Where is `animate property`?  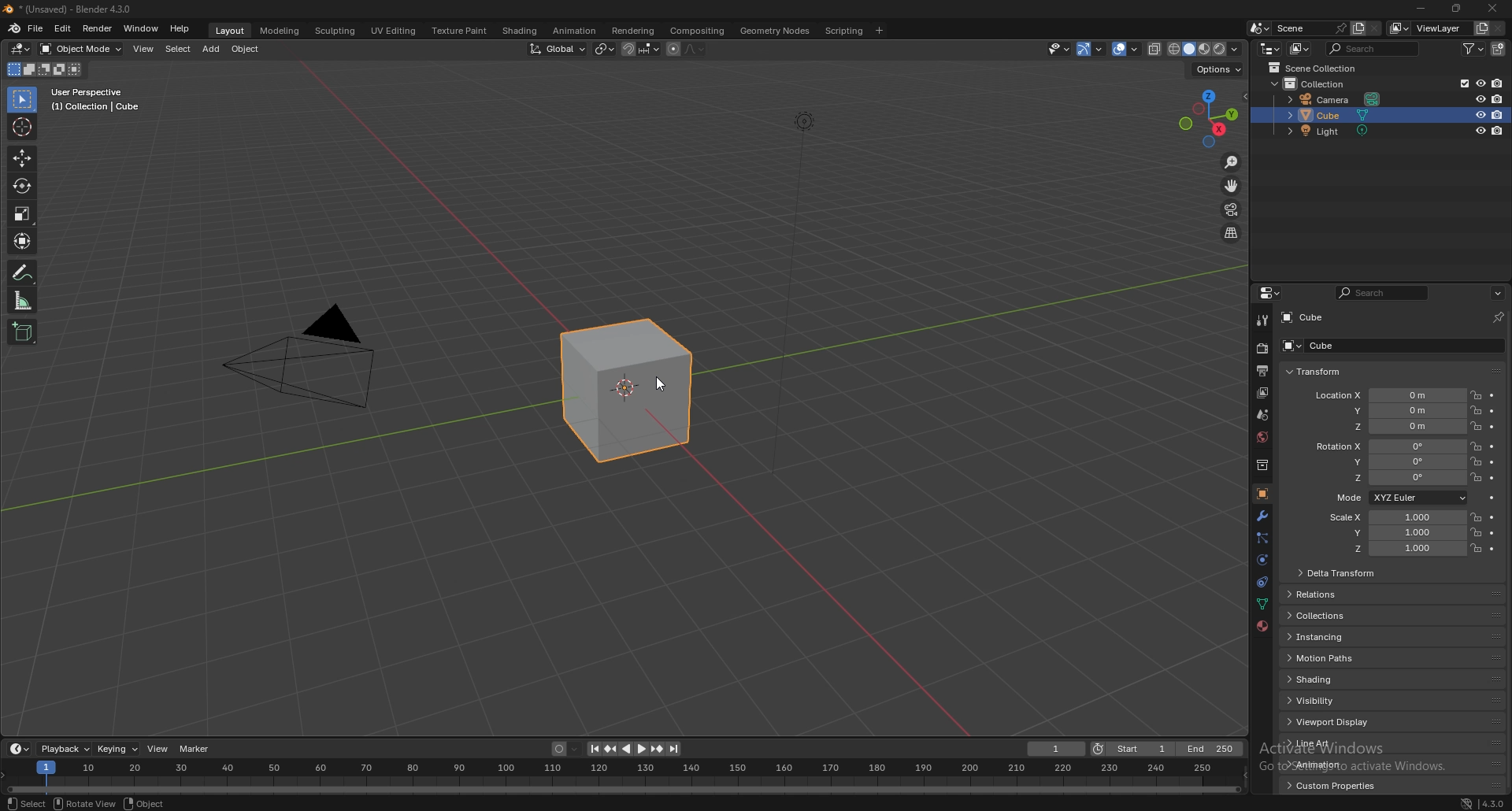 animate property is located at coordinates (1495, 498).